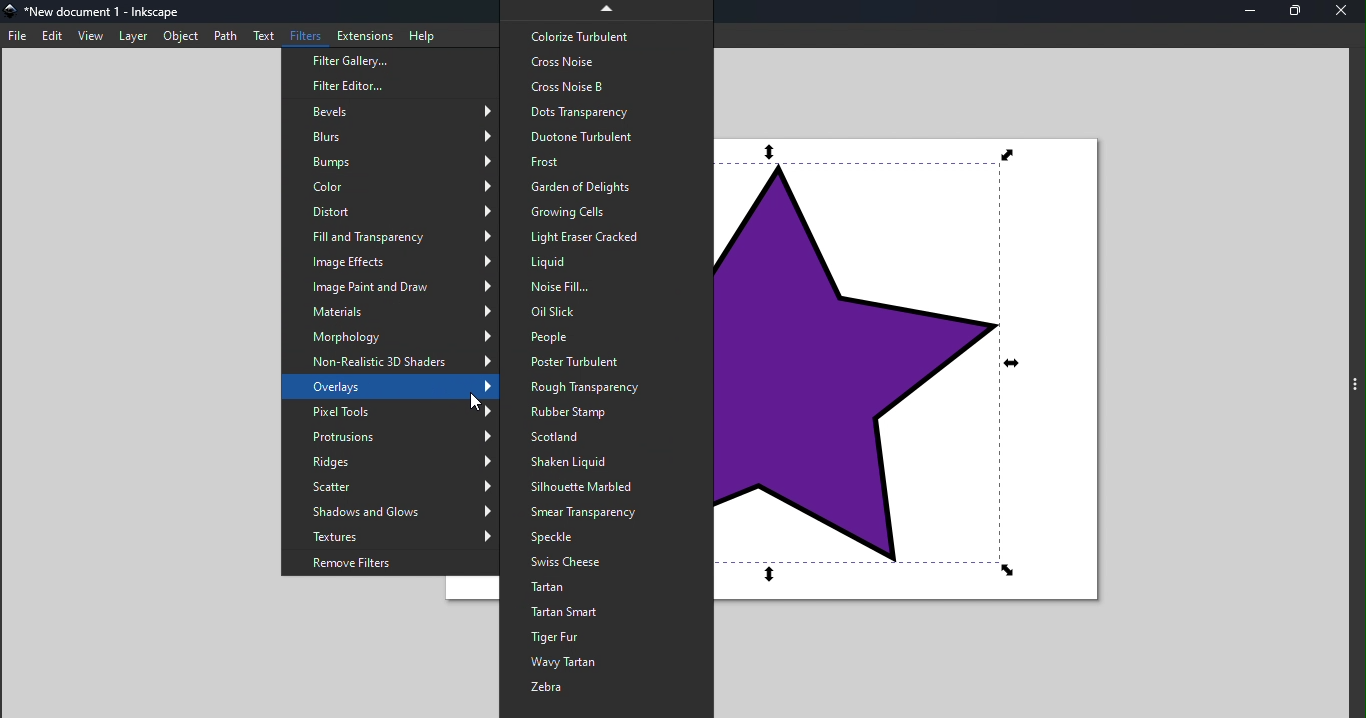  What do you see at coordinates (392, 312) in the screenshot?
I see `Material` at bounding box center [392, 312].